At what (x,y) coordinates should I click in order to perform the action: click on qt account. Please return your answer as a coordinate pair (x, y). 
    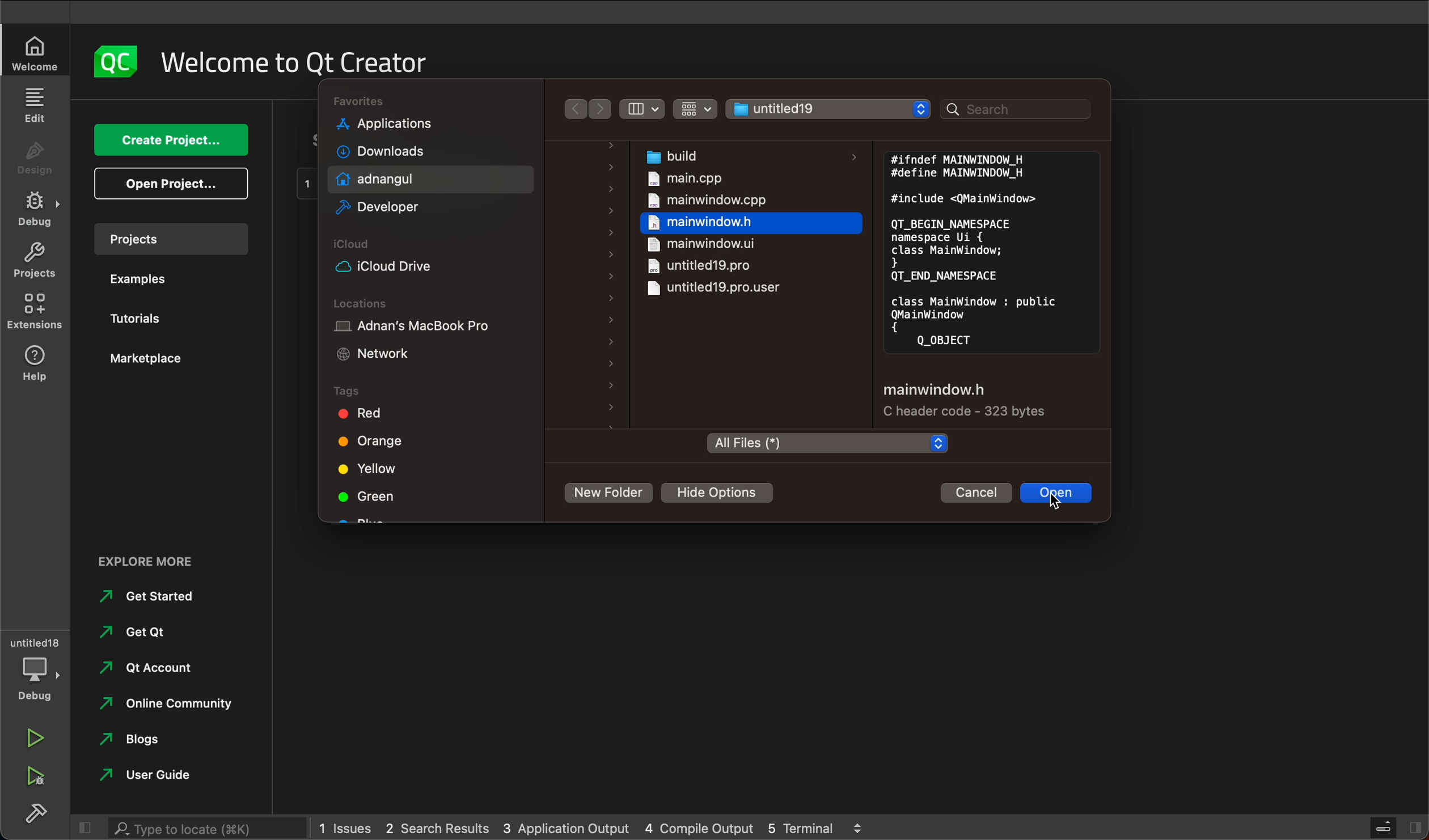
    Looking at the image, I should click on (150, 668).